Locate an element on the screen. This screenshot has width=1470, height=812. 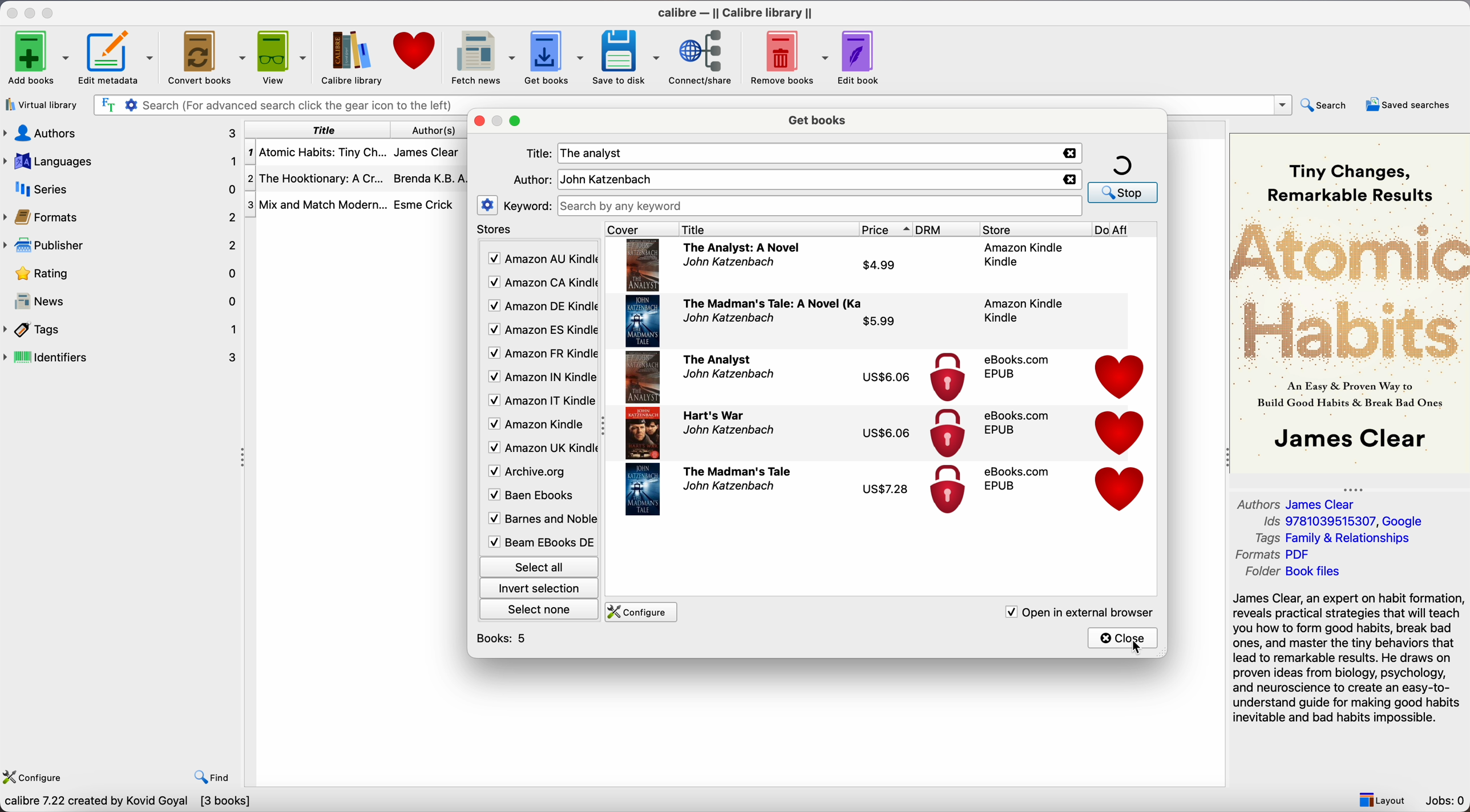
$5.99 is located at coordinates (880, 320).